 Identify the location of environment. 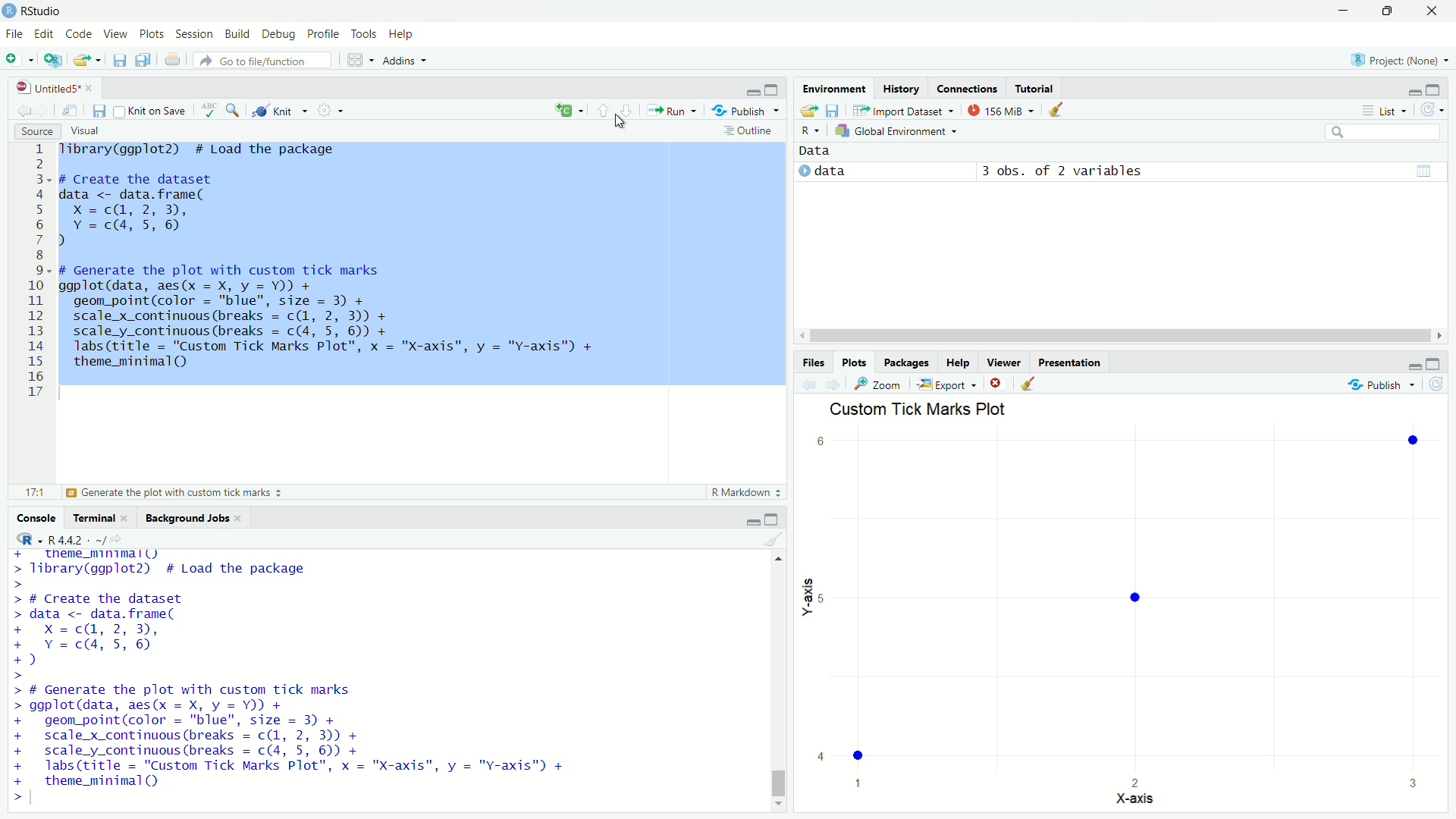
(835, 87).